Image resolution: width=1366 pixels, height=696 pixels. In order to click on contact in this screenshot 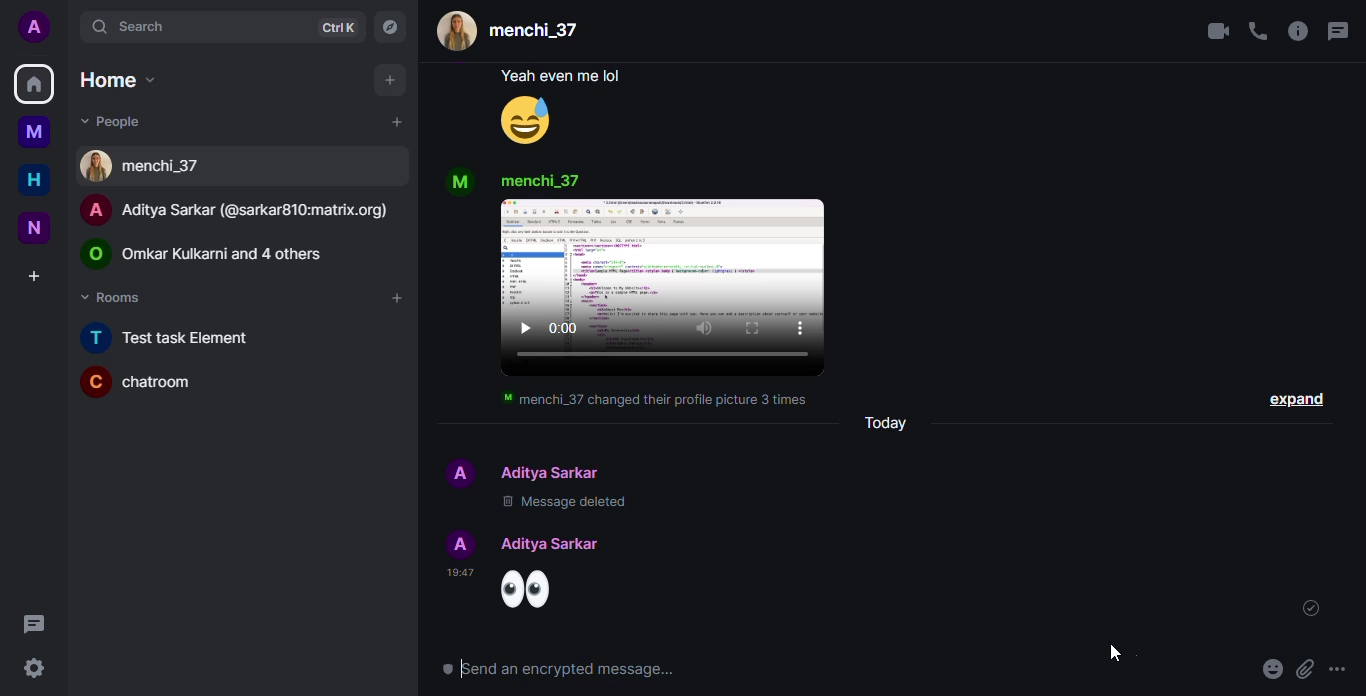, I will do `click(147, 166)`.